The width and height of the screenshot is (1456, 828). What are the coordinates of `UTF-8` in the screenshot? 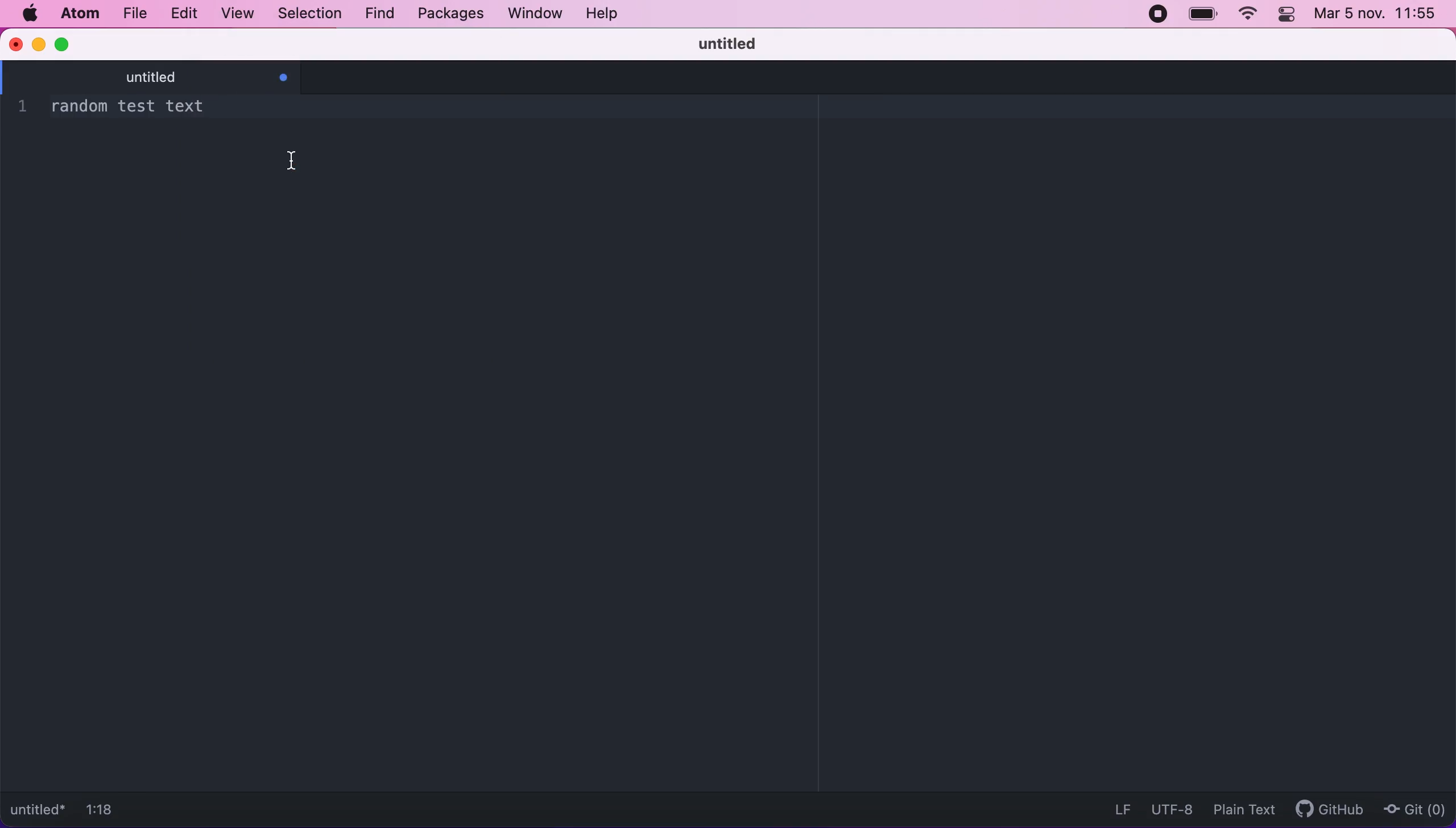 It's located at (1173, 809).